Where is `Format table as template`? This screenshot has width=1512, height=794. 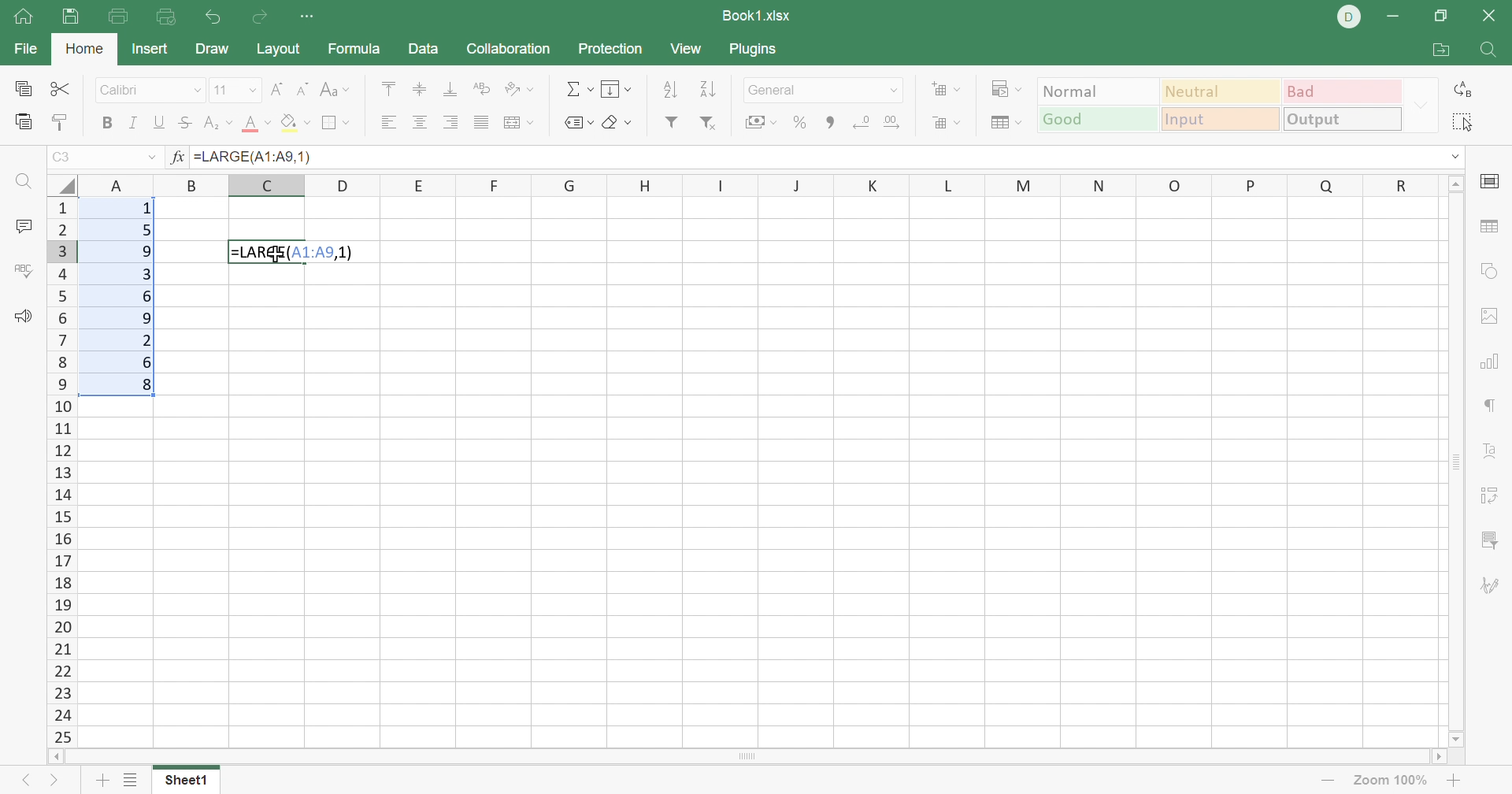
Format table as template is located at coordinates (1005, 124).